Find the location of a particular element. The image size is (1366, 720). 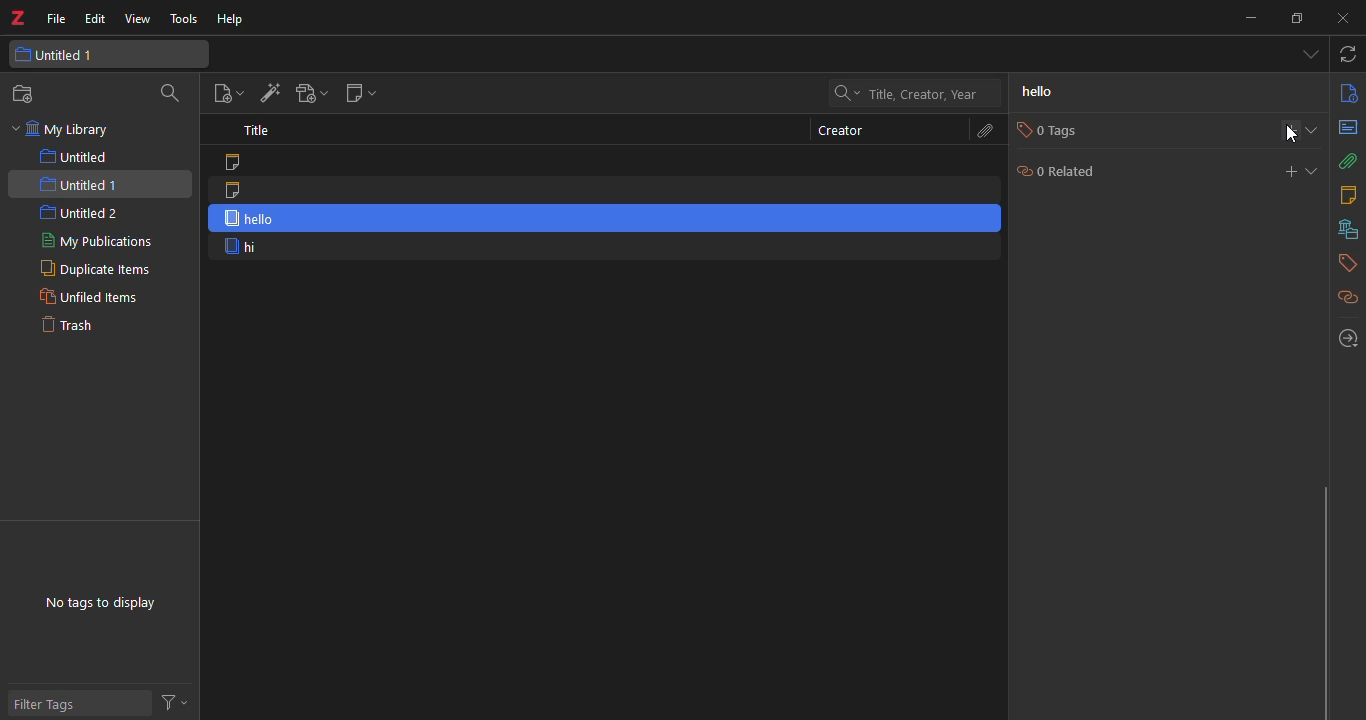

tab is located at coordinates (1306, 56).